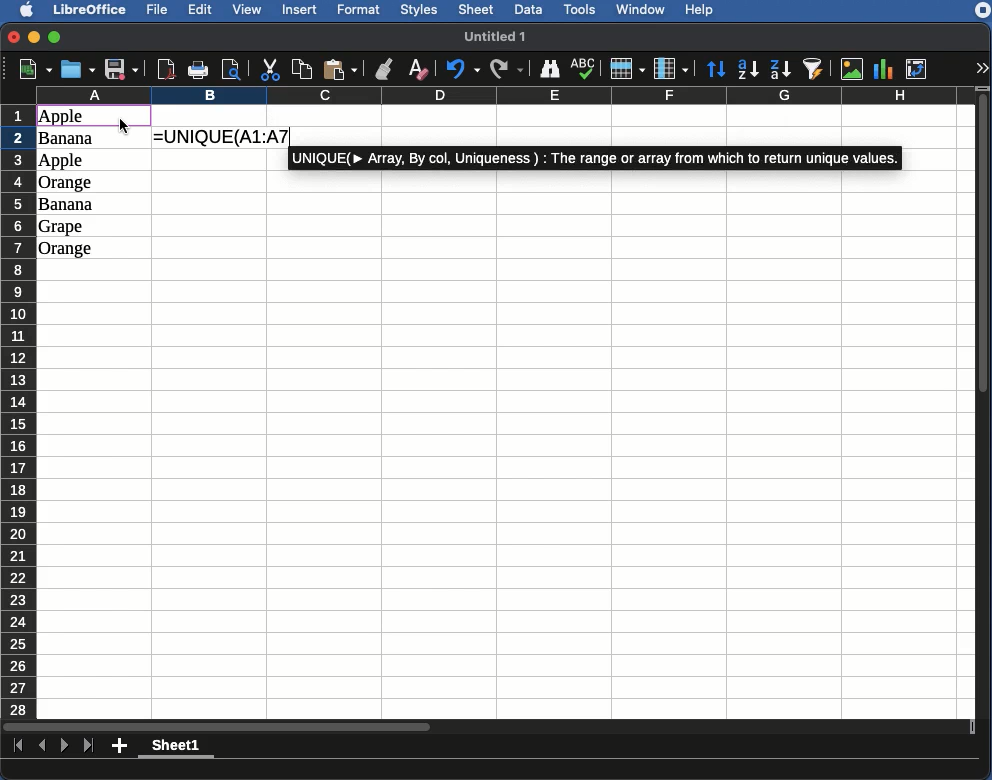  Describe the element at coordinates (76, 70) in the screenshot. I see `Open` at that location.